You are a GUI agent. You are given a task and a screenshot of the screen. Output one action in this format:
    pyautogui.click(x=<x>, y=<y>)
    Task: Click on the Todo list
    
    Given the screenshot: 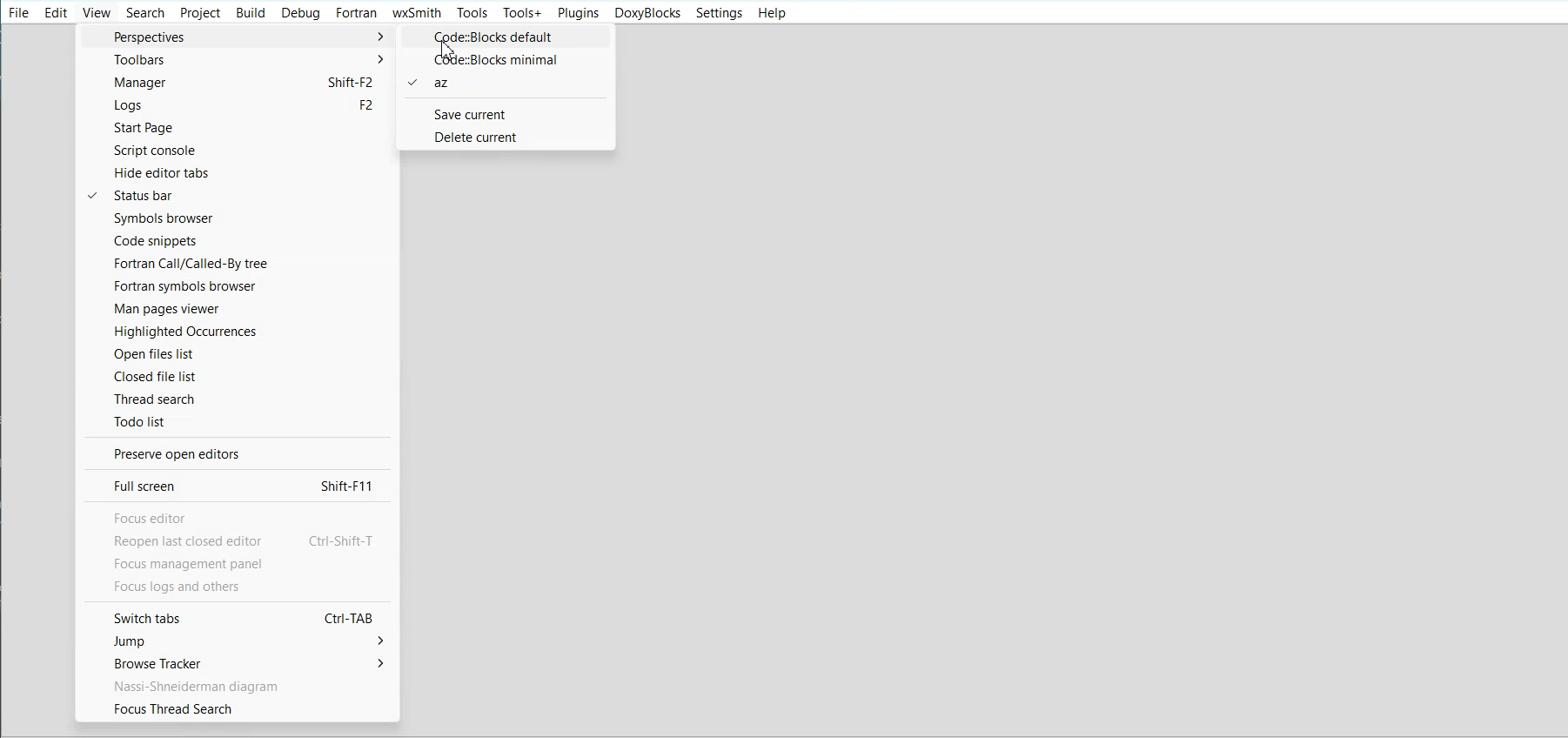 What is the action you would take?
    pyautogui.click(x=237, y=421)
    